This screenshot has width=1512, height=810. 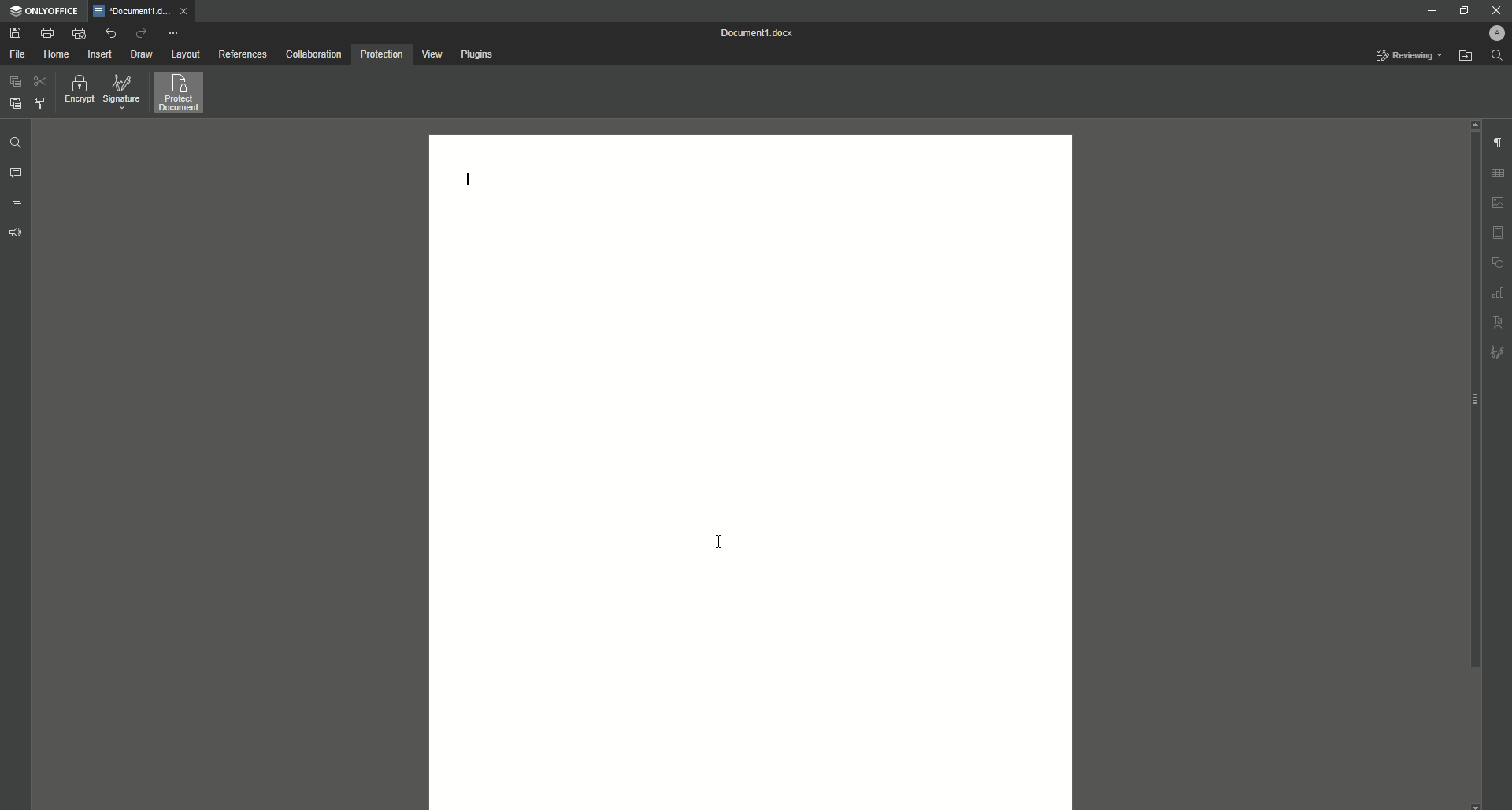 I want to click on ONLYOFFICE, so click(x=45, y=10).